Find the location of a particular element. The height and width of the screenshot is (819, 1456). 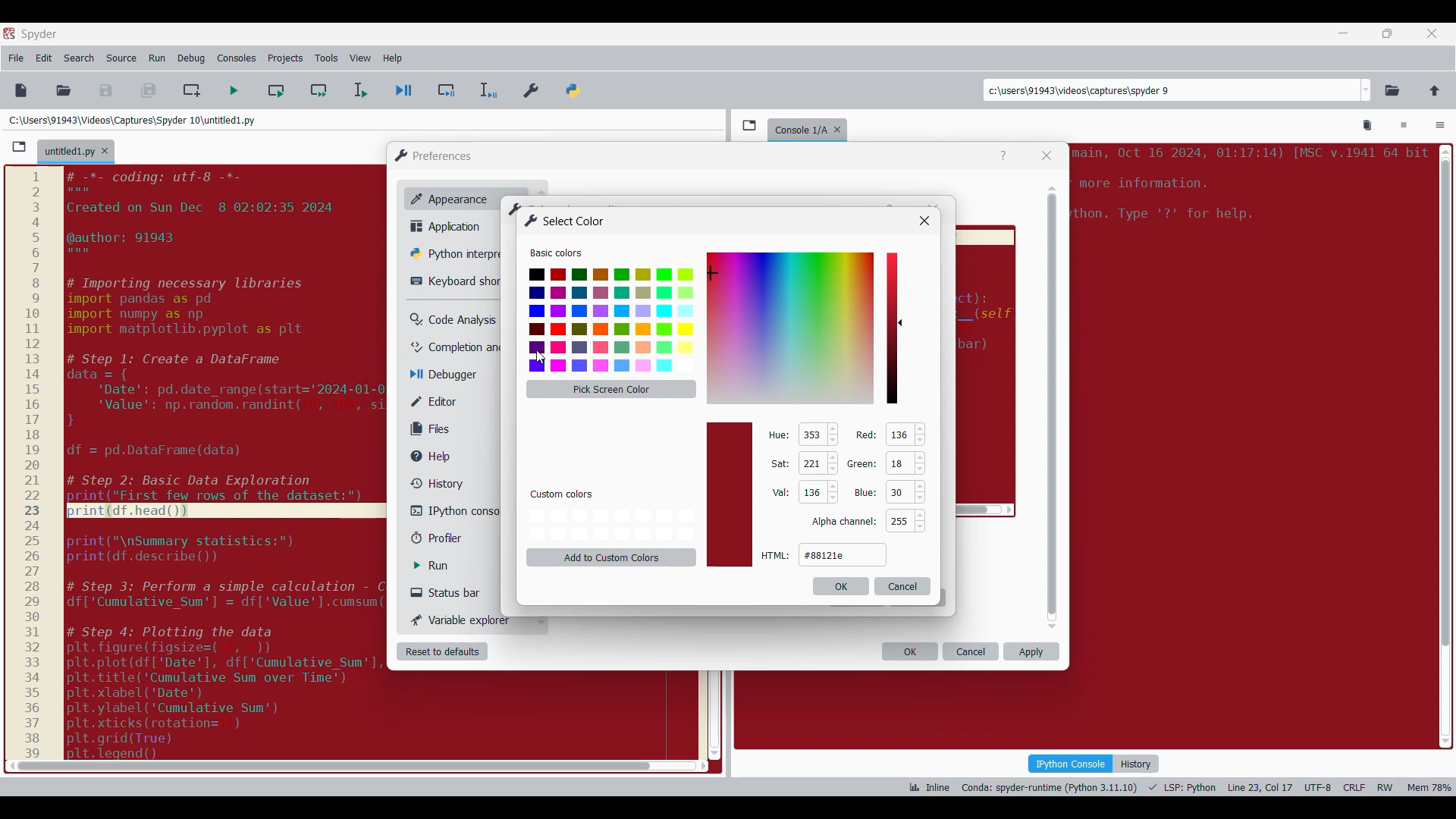

Profiler is located at coordinates (450, 538).